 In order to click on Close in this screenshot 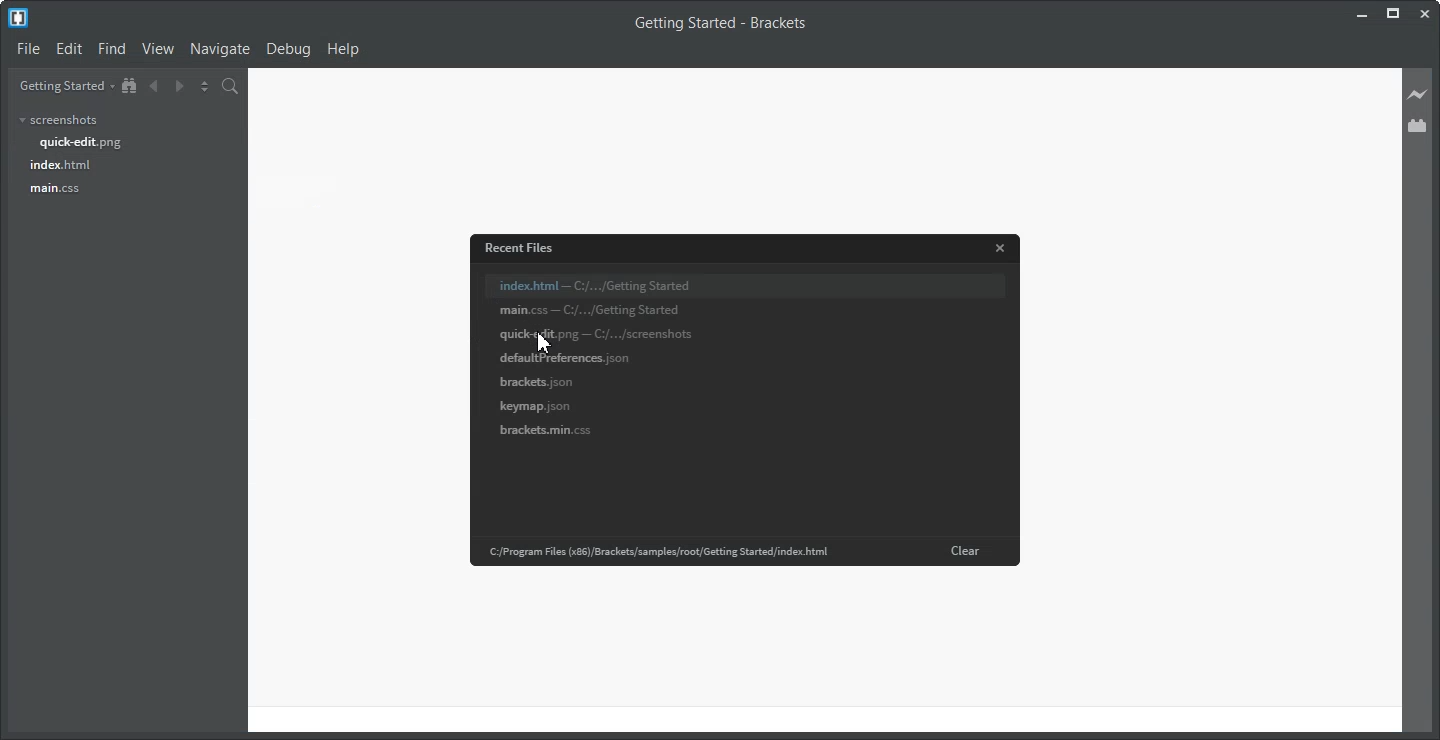, I will do `click(1424, 15)`.